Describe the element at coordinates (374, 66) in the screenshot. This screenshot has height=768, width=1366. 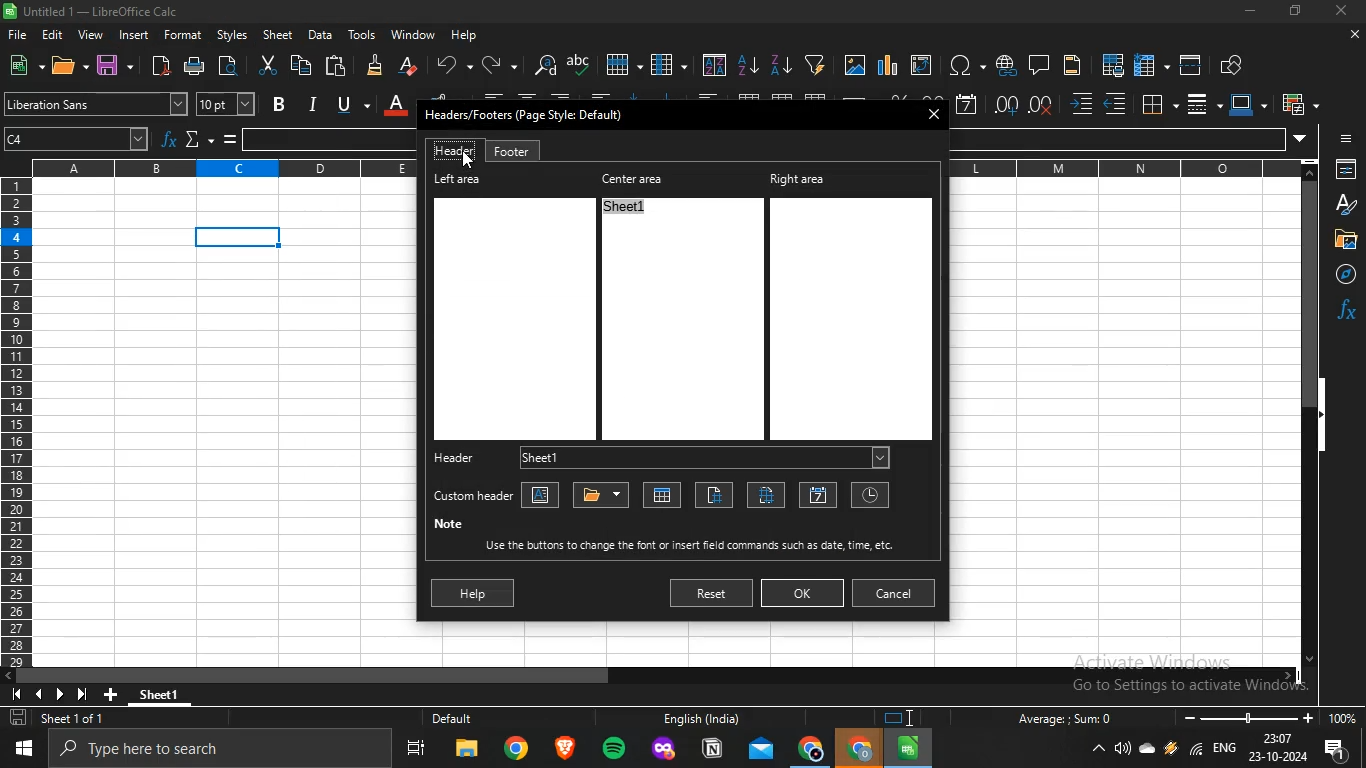
I see `clone formatting` at that location.